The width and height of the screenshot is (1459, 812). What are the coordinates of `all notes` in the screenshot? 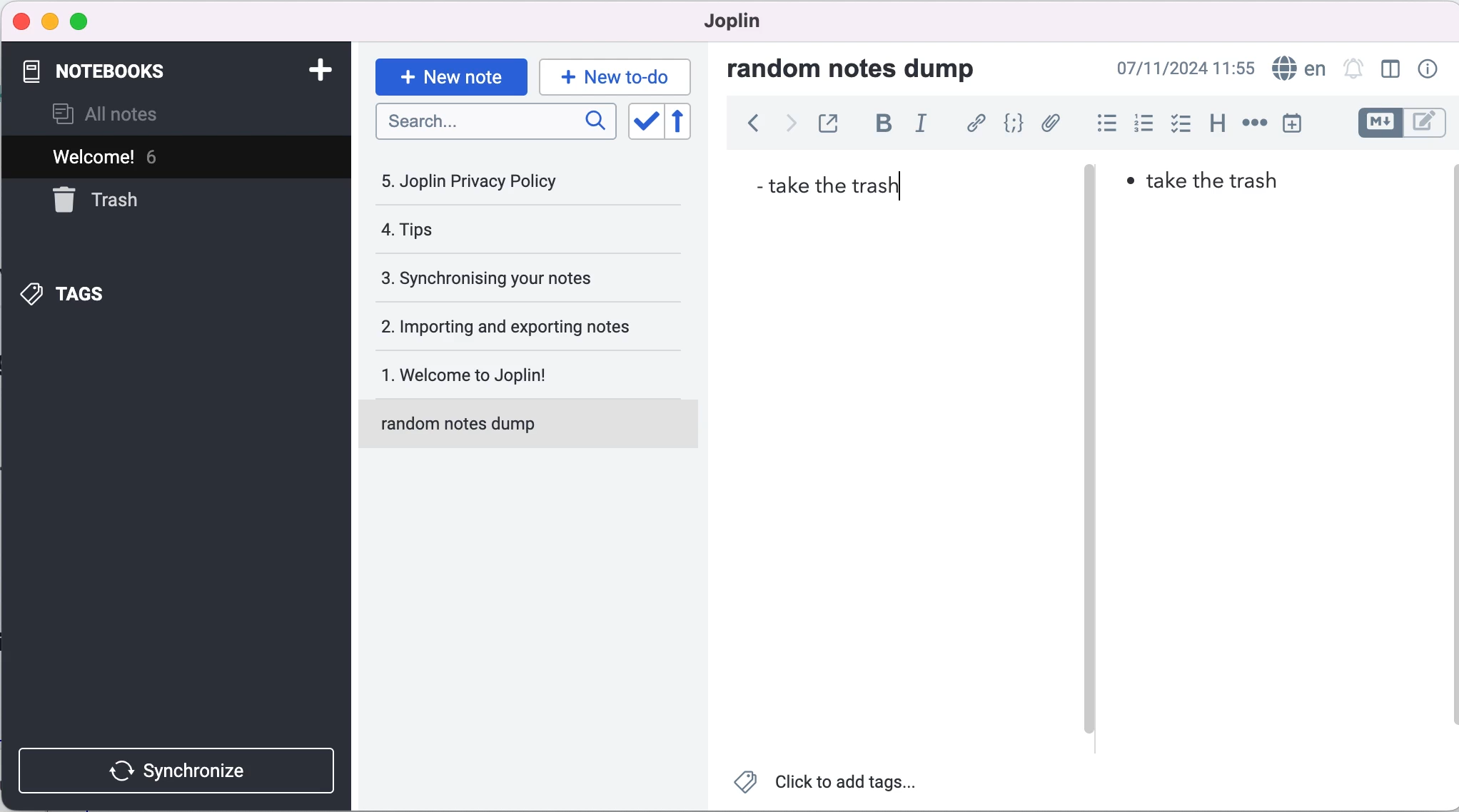 It's located at (128, 113).